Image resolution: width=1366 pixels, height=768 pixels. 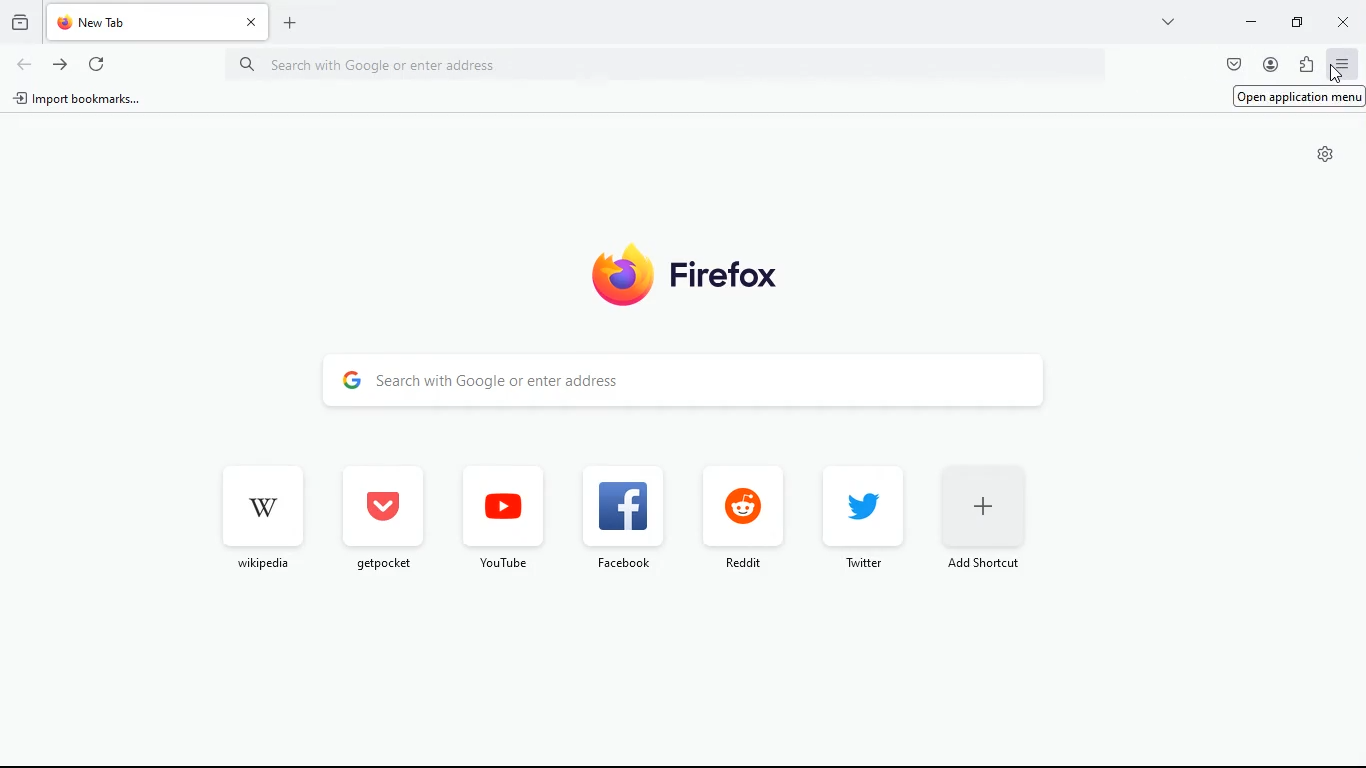 What do you see at coordinates (695, 273) in the screenshot?
I see `firefox` at bounding box center [695, 273].